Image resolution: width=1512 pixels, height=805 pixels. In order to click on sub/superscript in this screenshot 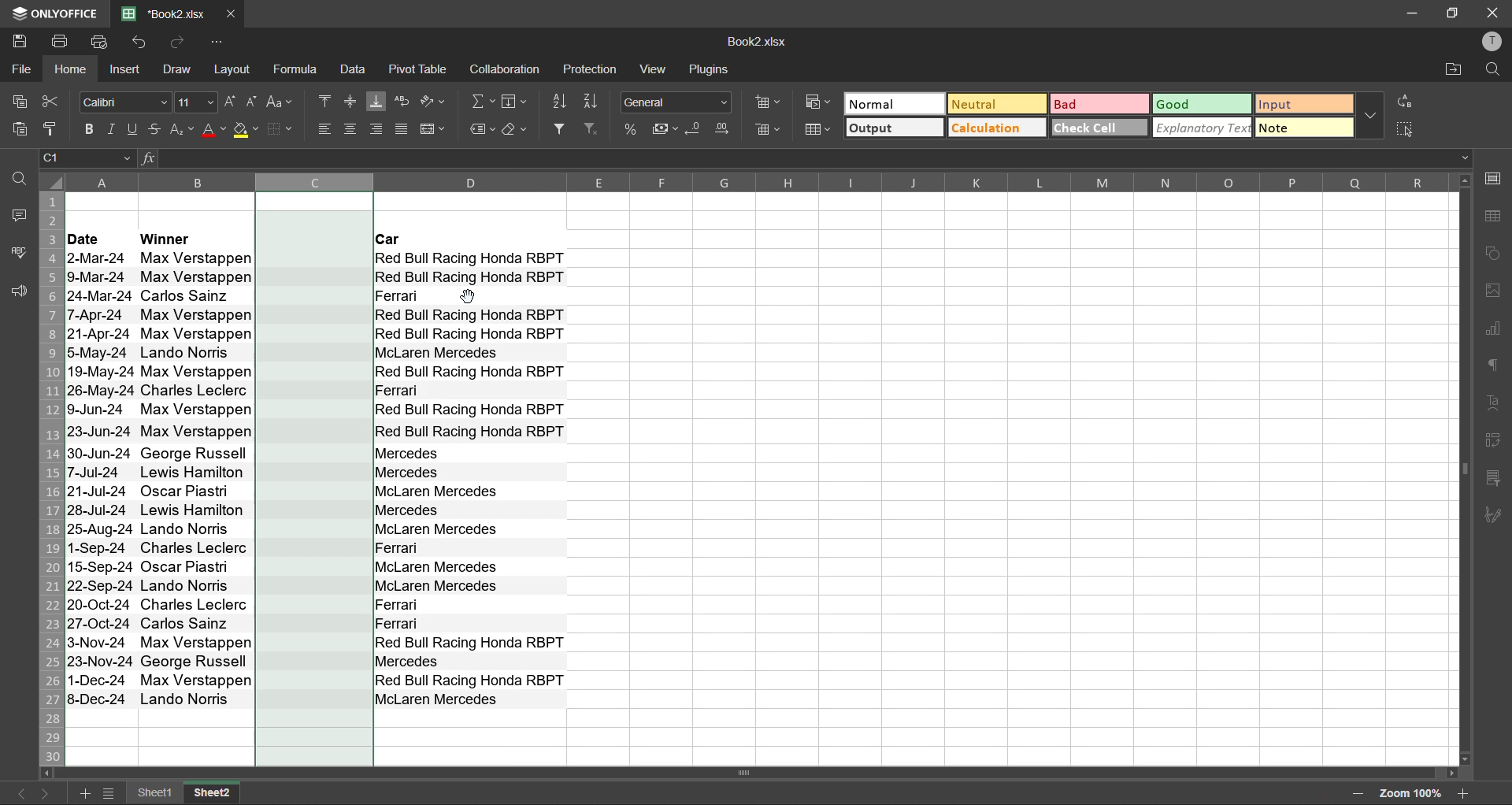, I will do `click(183, 131)`.